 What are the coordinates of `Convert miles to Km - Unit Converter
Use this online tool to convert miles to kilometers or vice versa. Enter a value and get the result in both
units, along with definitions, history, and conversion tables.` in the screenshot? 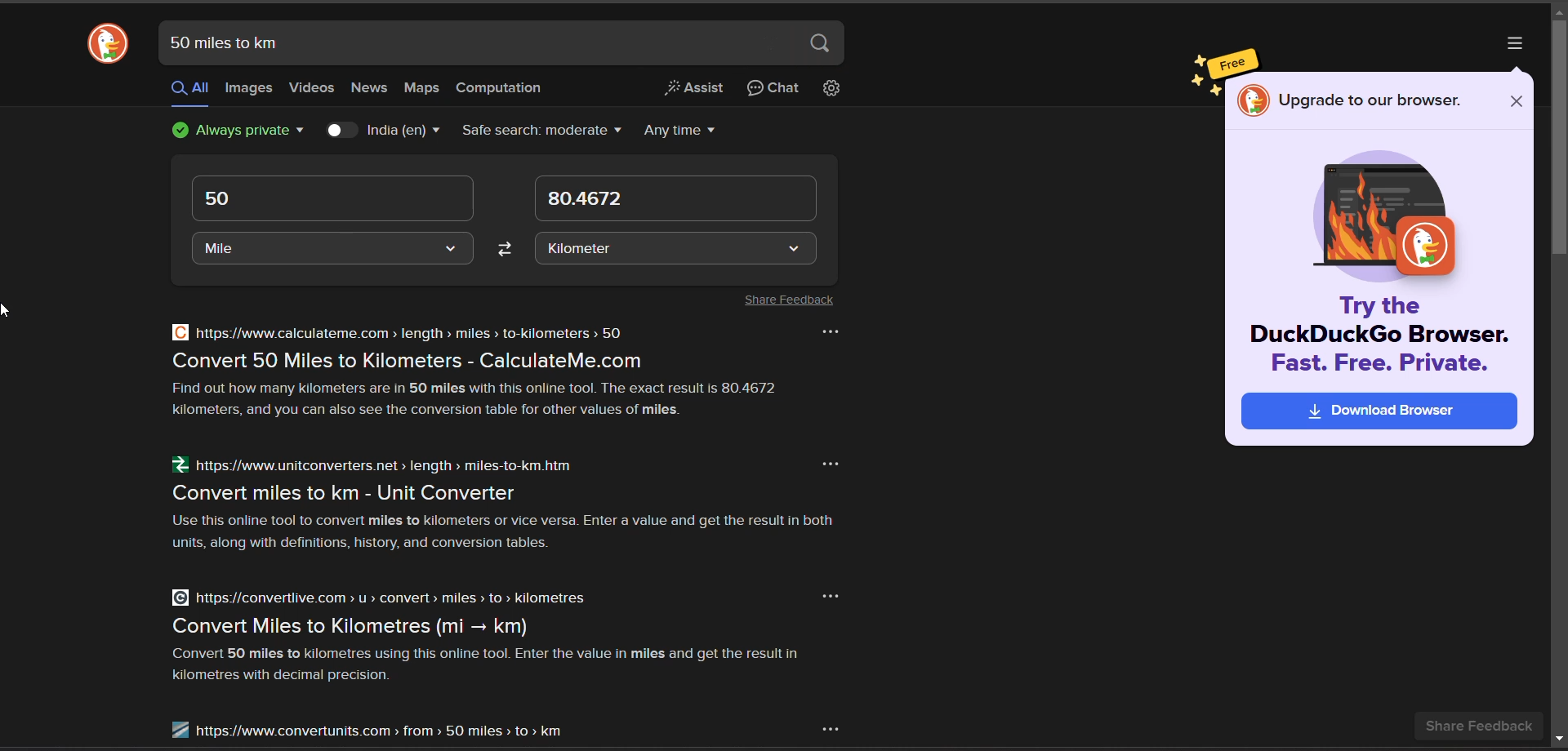 It's located at (525, 518).